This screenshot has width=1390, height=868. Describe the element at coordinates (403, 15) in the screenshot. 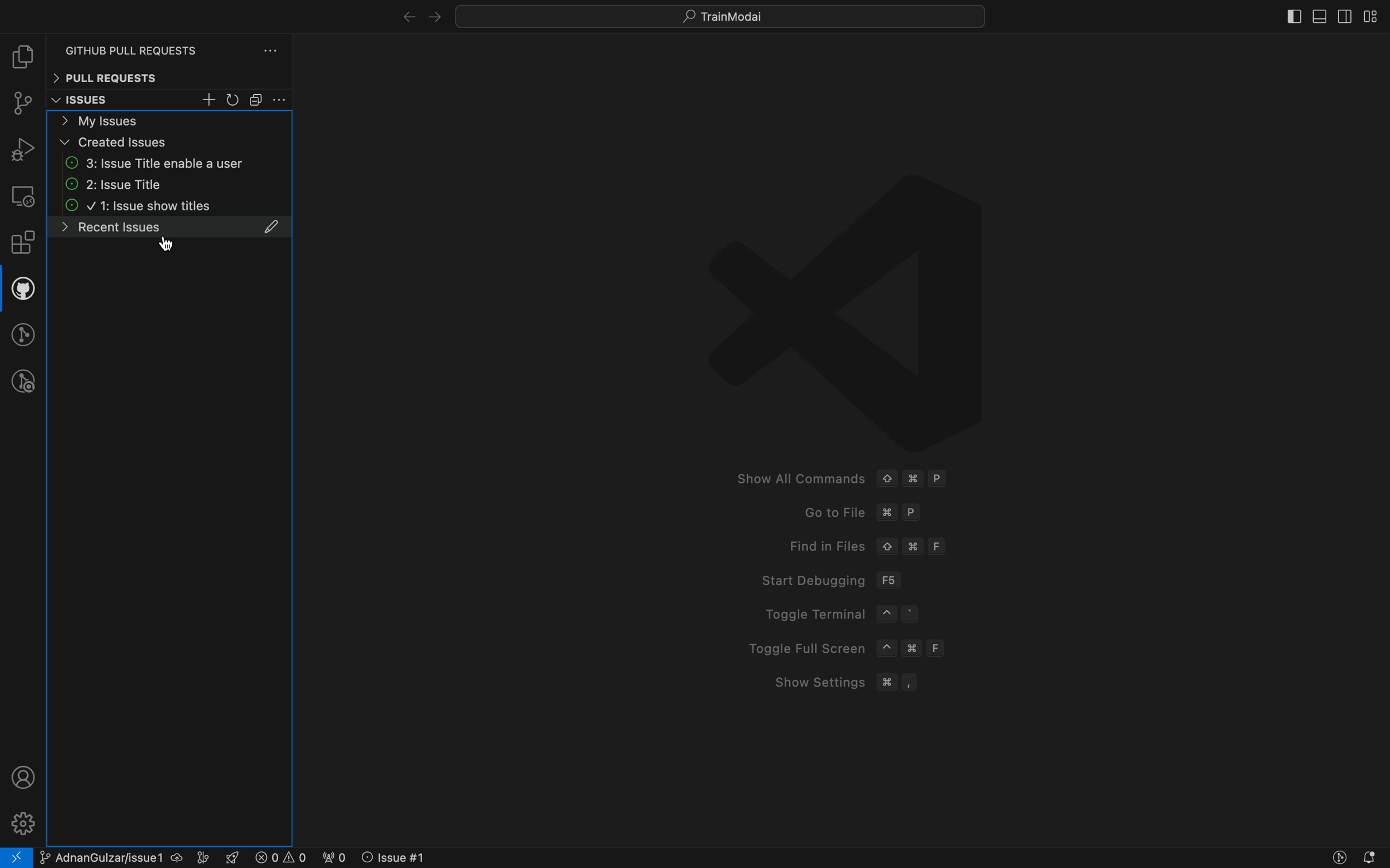

I see `right arrow` at that location.